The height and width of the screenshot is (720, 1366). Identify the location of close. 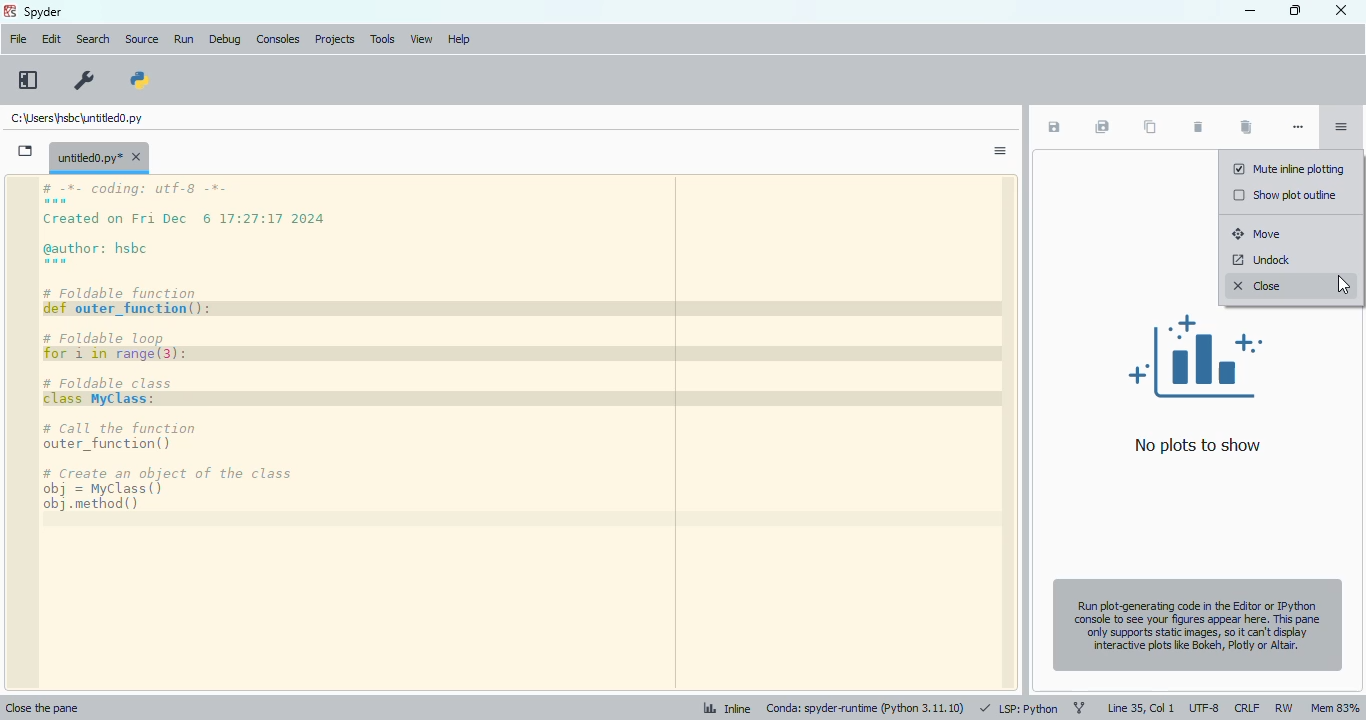
(1258, 286).